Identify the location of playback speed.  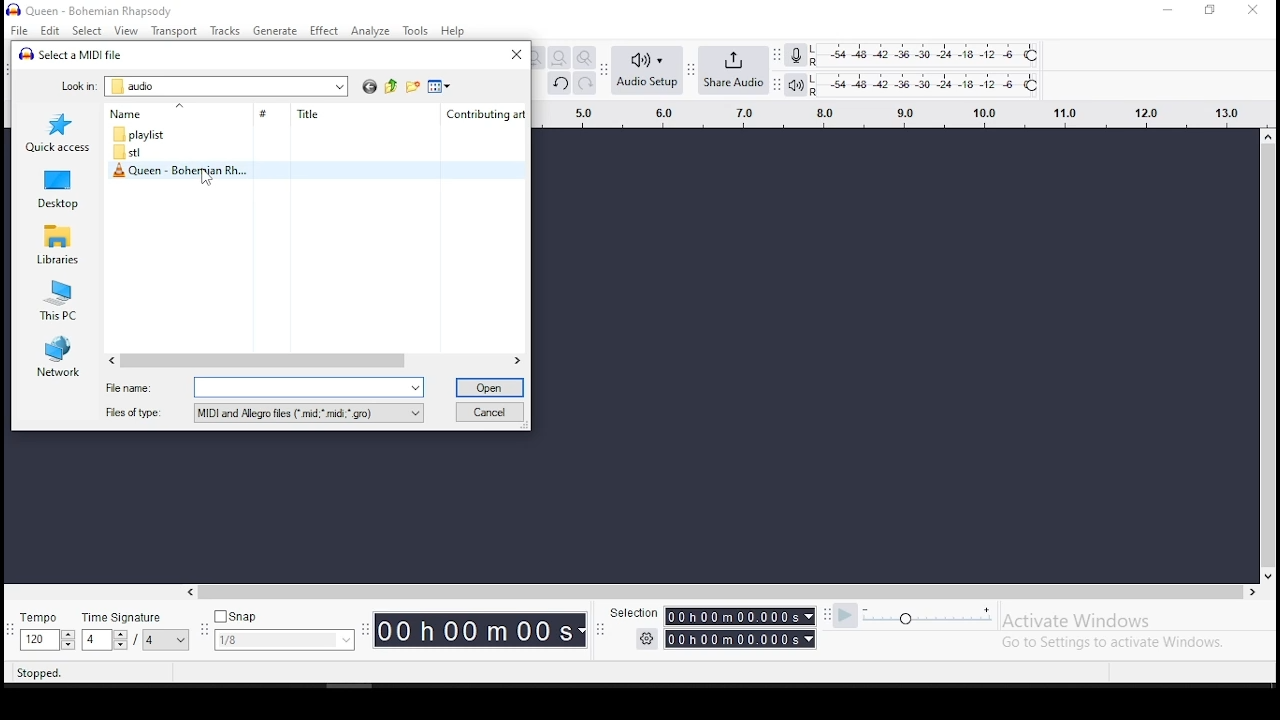
(928, 617).